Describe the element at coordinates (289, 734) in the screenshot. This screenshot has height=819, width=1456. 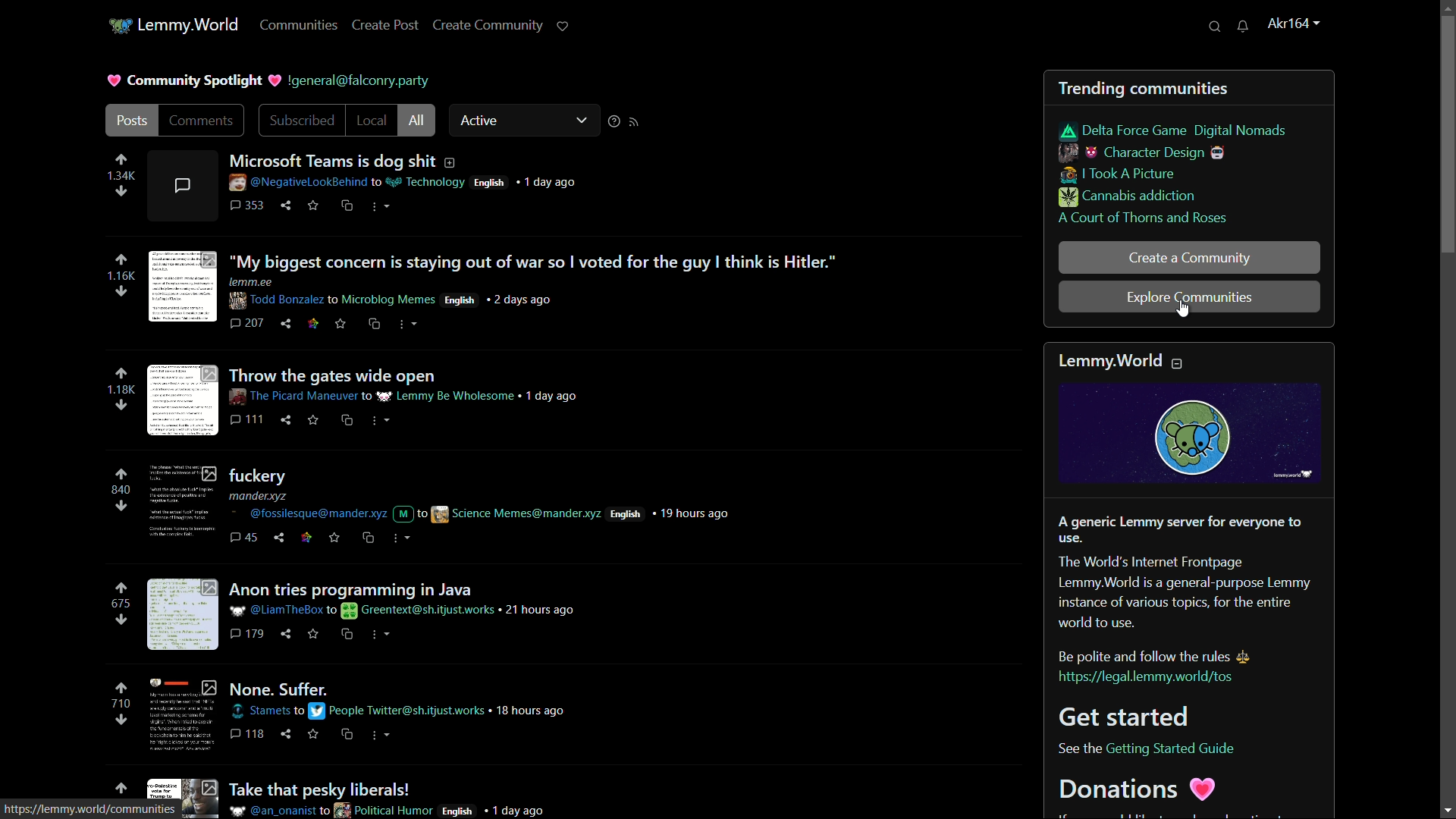
I see `share` at that location.